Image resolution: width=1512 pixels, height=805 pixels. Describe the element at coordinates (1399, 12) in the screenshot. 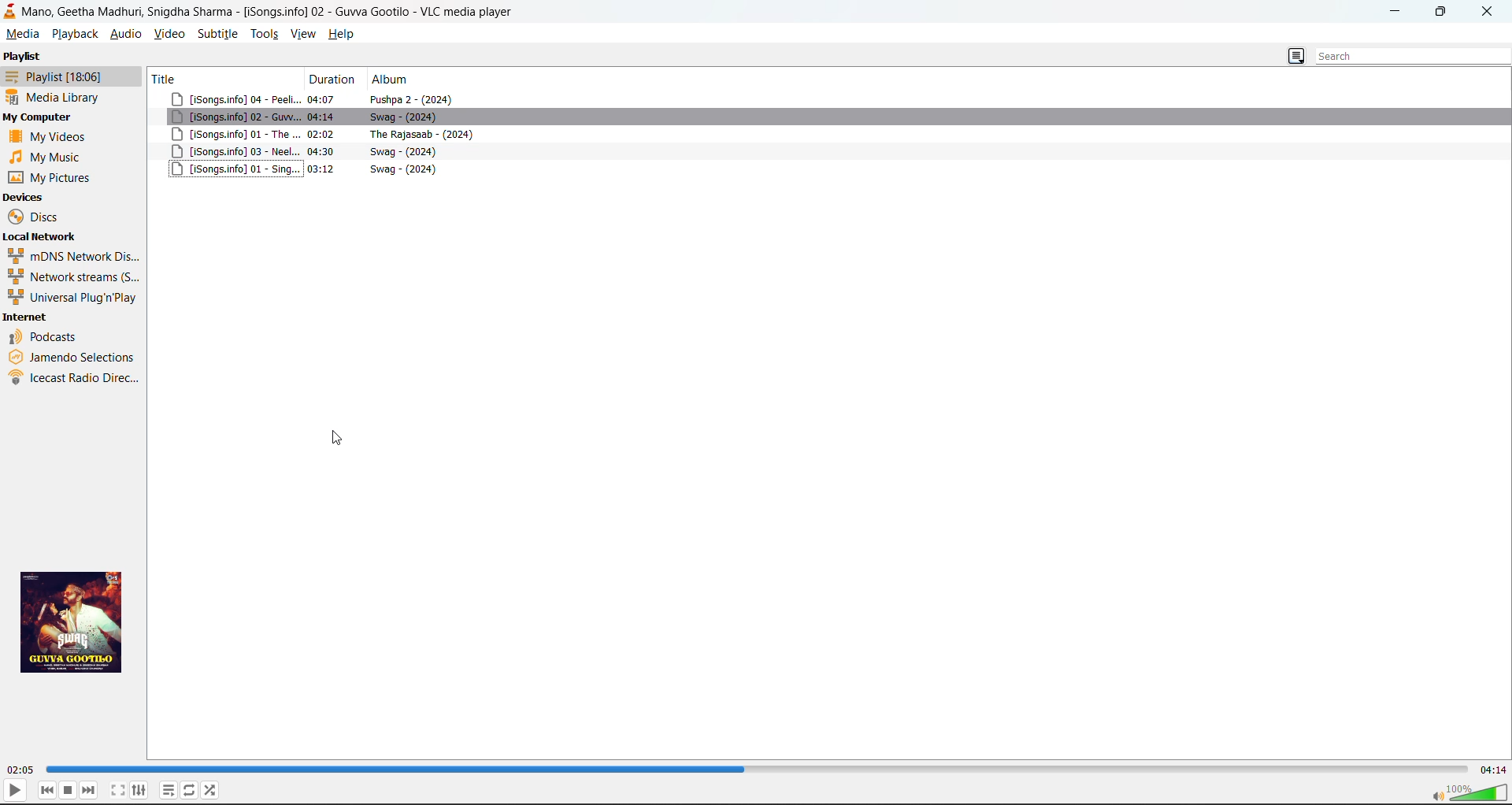

I see `minimize` at that location.